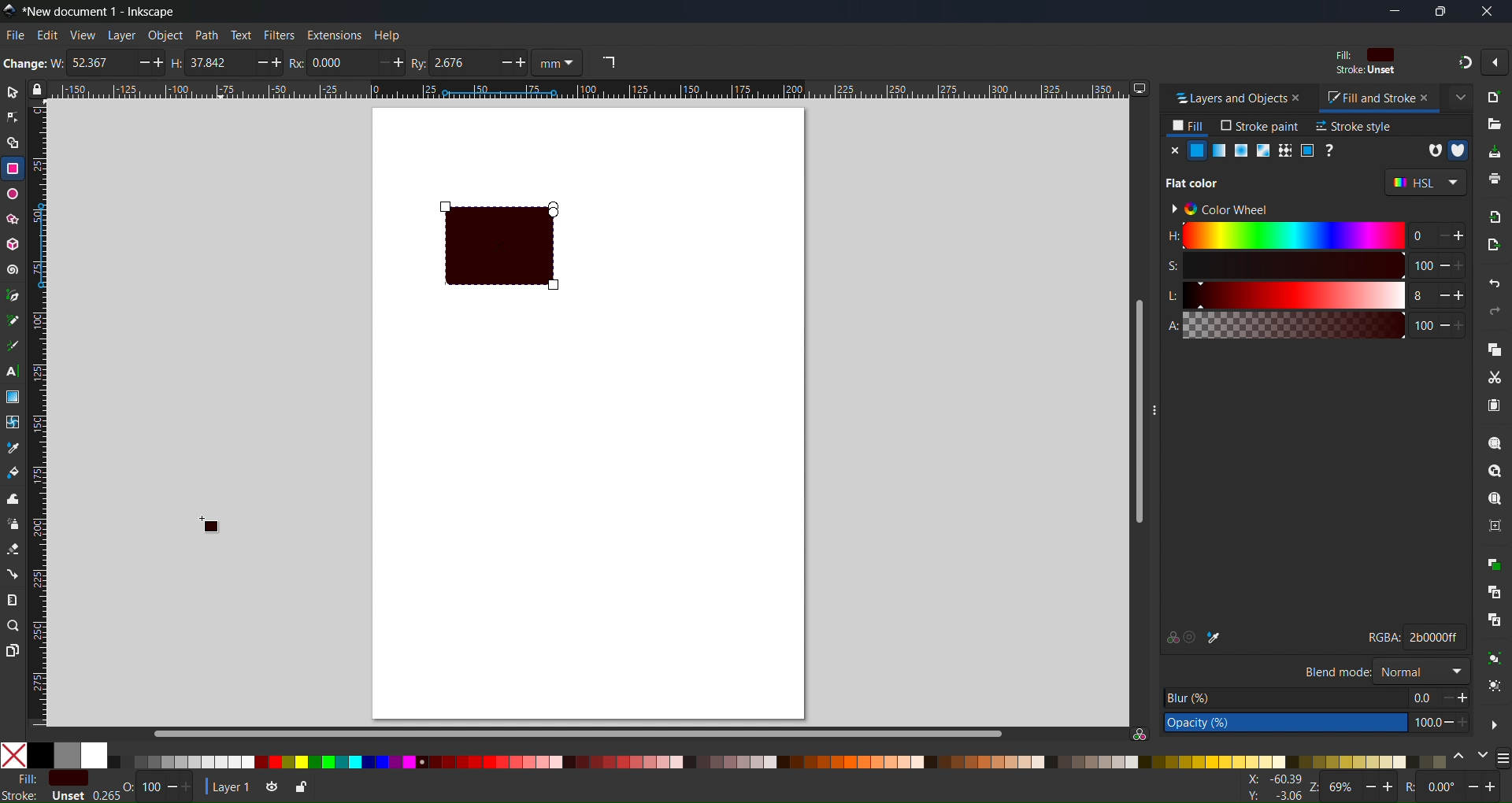  I want to click on Mesh Gradient, so click(1261, 150).